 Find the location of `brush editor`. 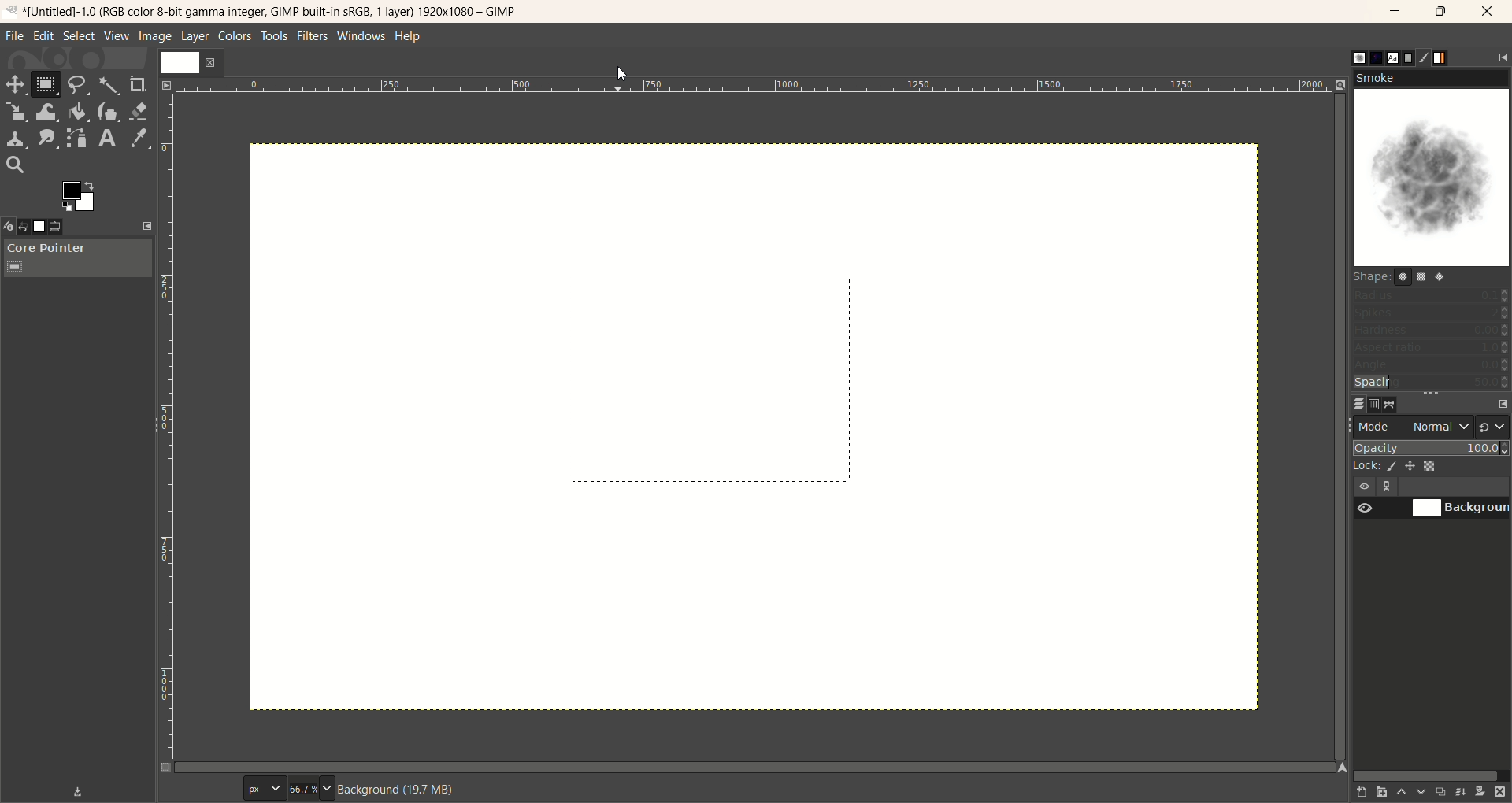

brush editor is located at coordinates (1425, 57).